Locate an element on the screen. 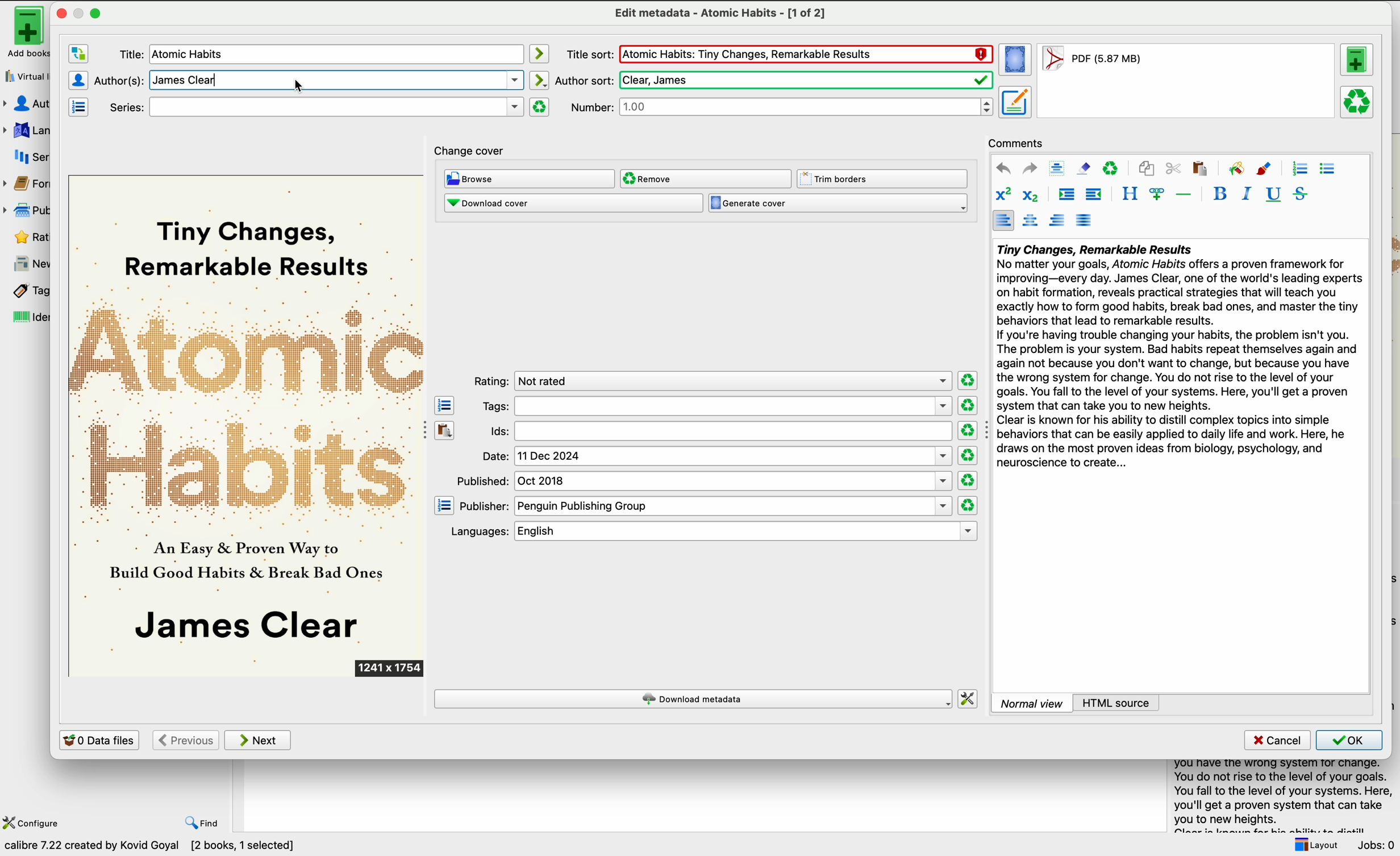 The width and height of the screenshot is (1400, 856). open the manage publisher editor is located at coordinates (444, 505).